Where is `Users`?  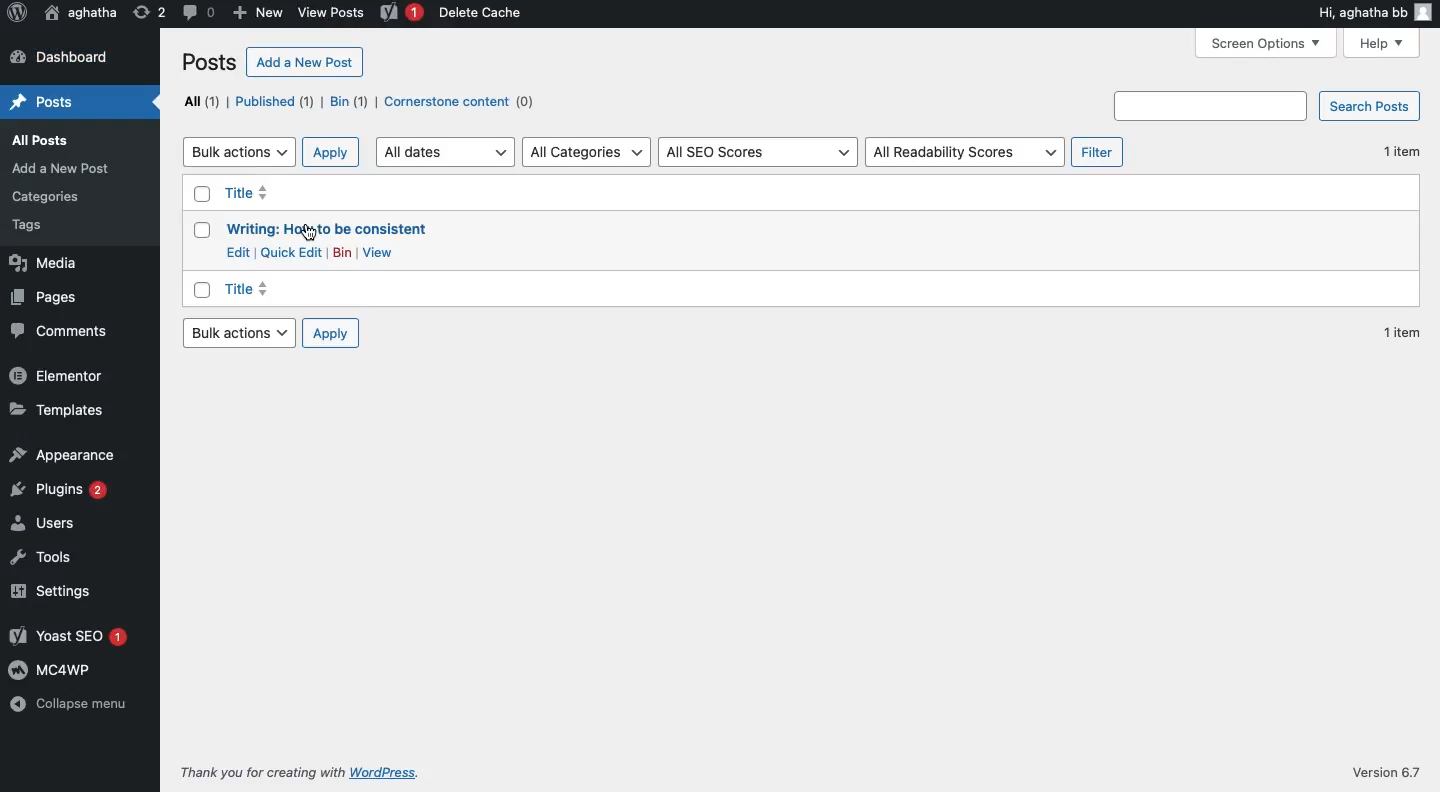
Users is located at coordinates (48, 523).